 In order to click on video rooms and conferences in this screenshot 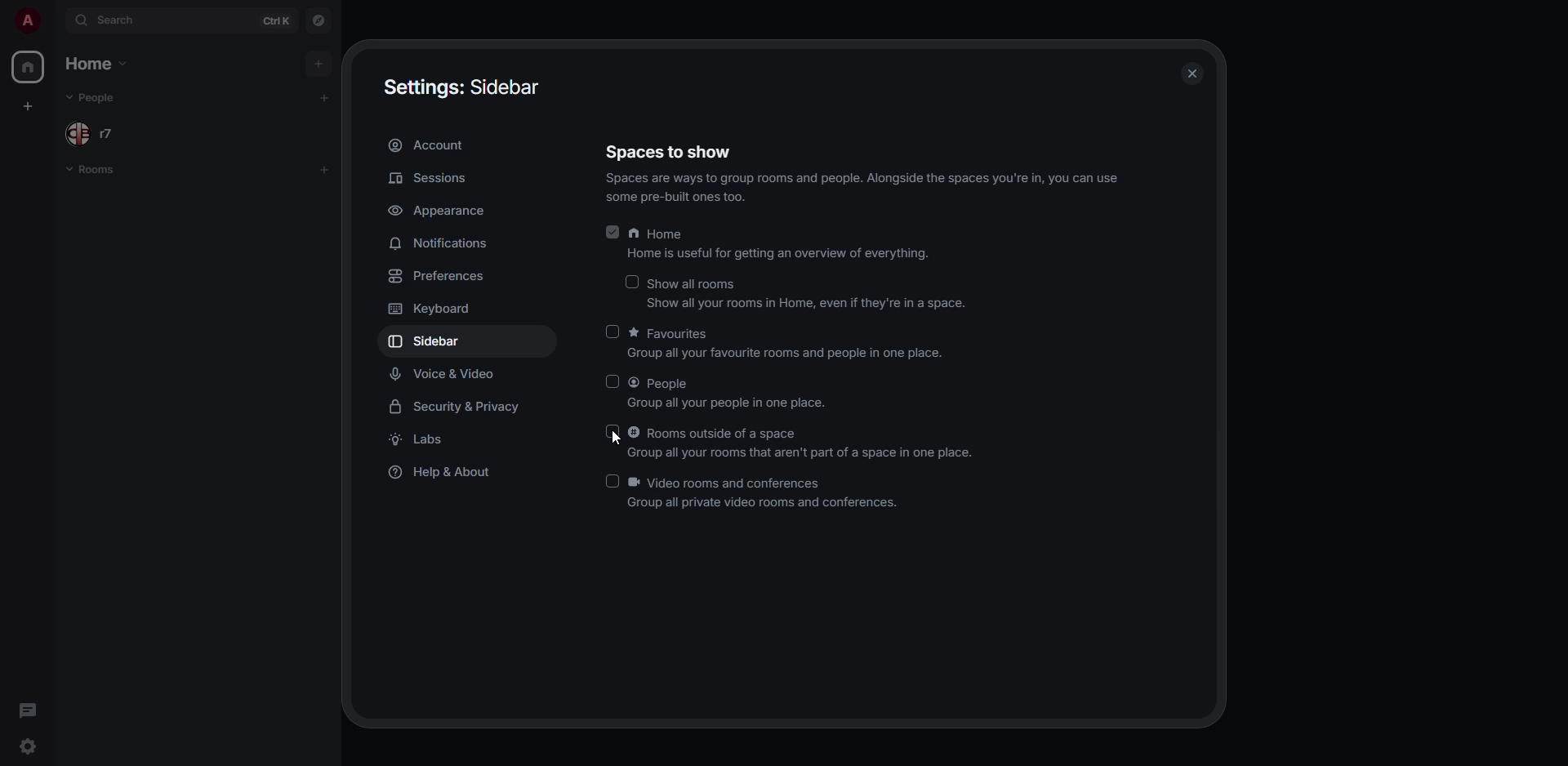, I will do `click(765, 494)`.